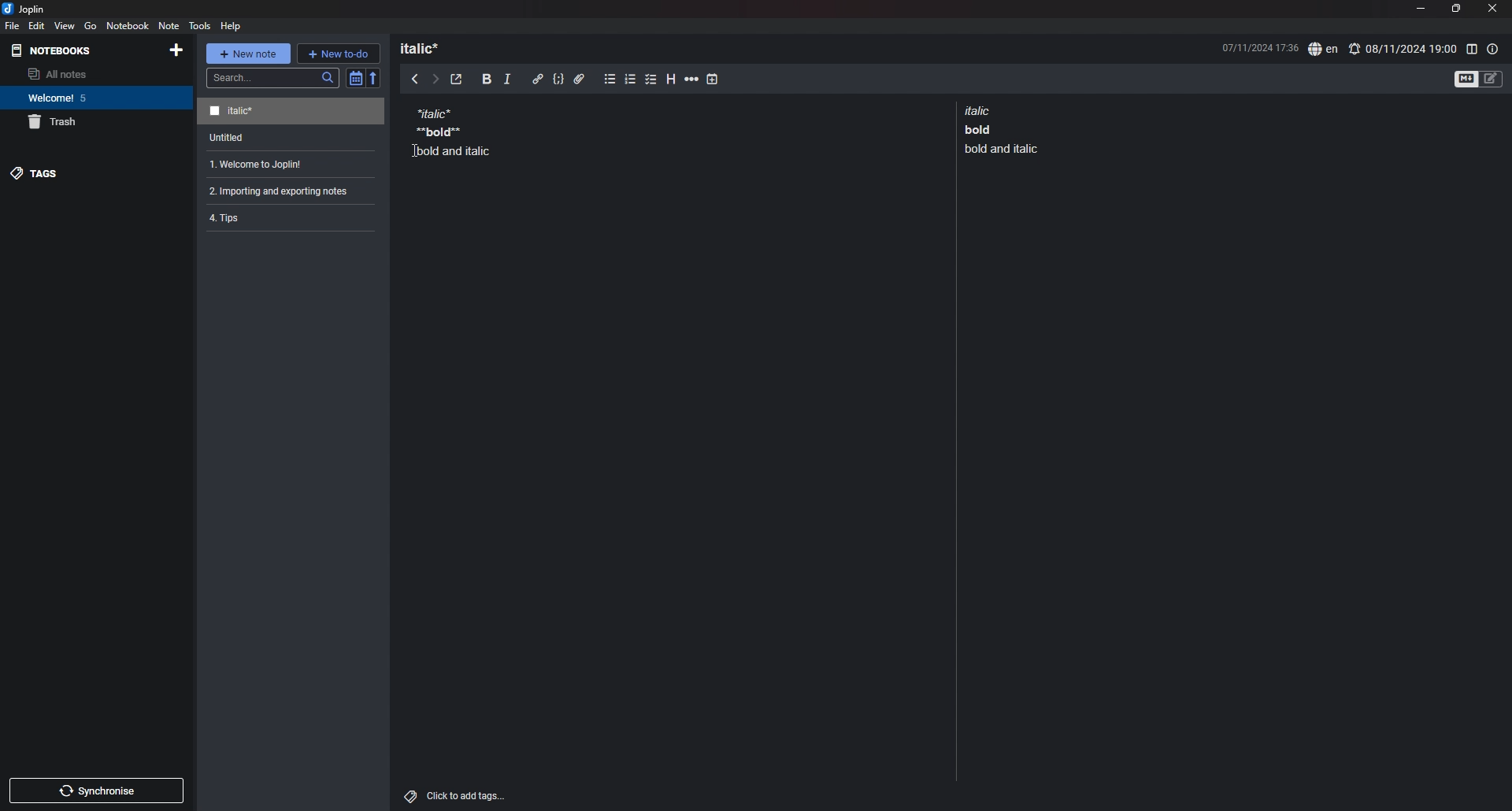  I want to click on tags, so click(95, 173).